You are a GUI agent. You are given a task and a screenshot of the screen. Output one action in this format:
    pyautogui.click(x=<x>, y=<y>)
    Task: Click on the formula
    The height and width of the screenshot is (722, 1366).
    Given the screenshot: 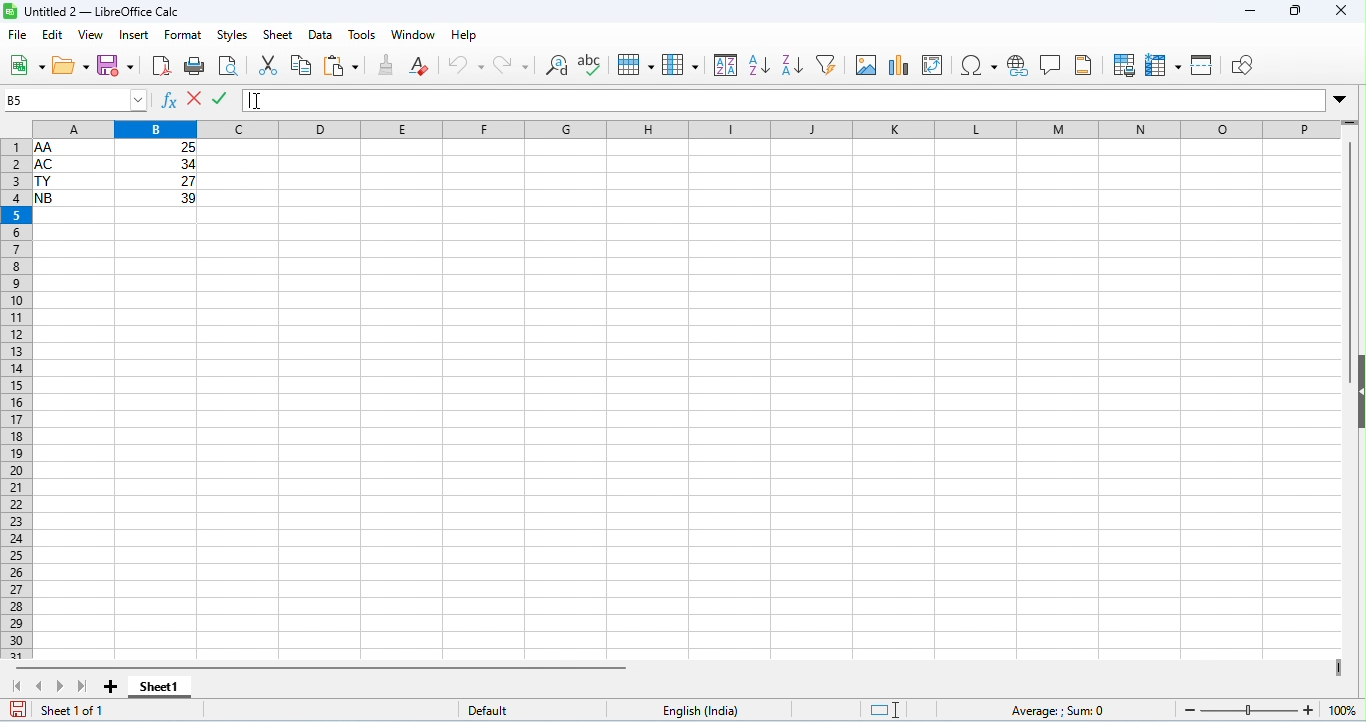 What is the action you would take?
    pyautogui.click(x=1061, y=710)
    